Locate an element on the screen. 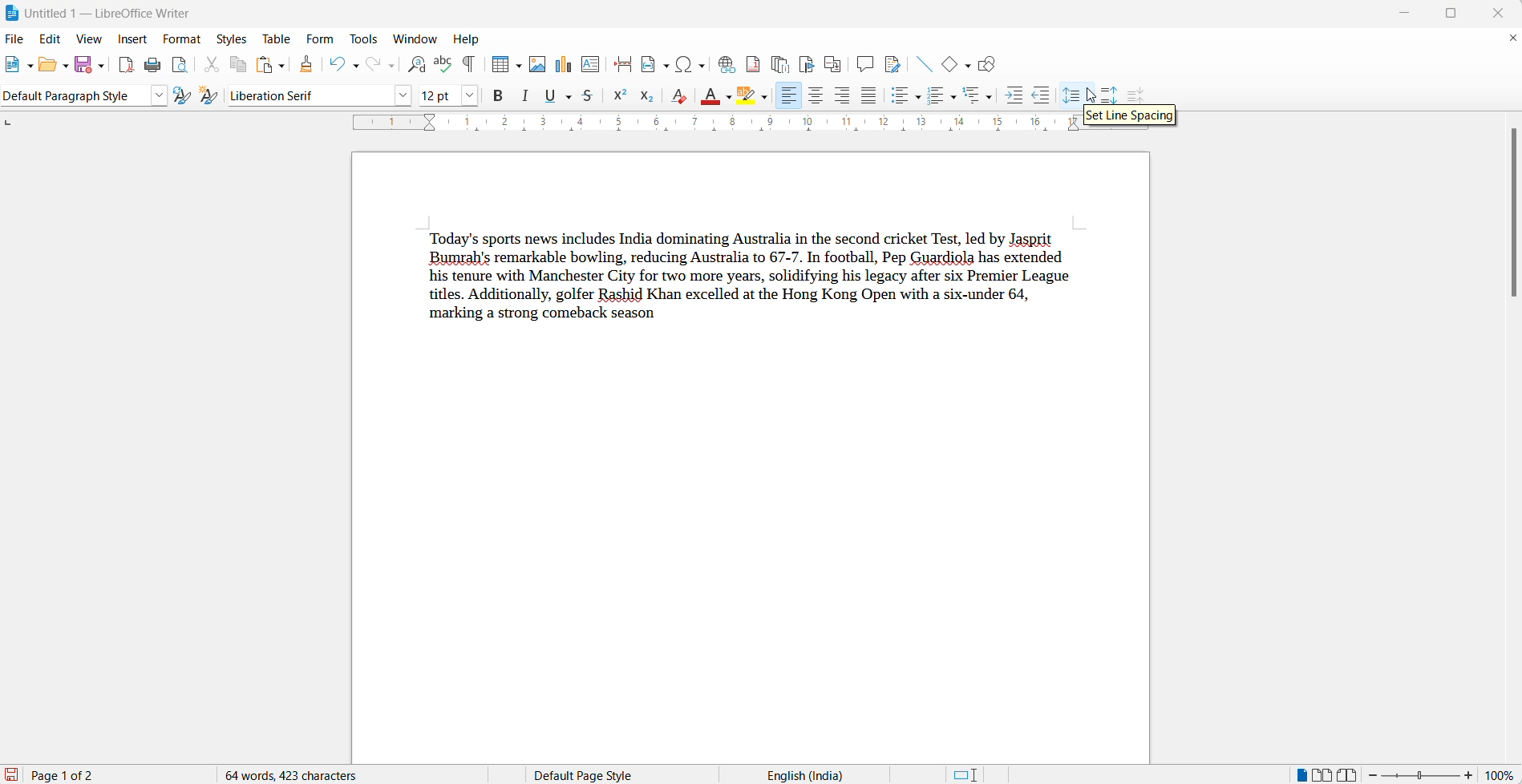 The image size is (1522, 784). maximize is located at coordinates (1456, 14).